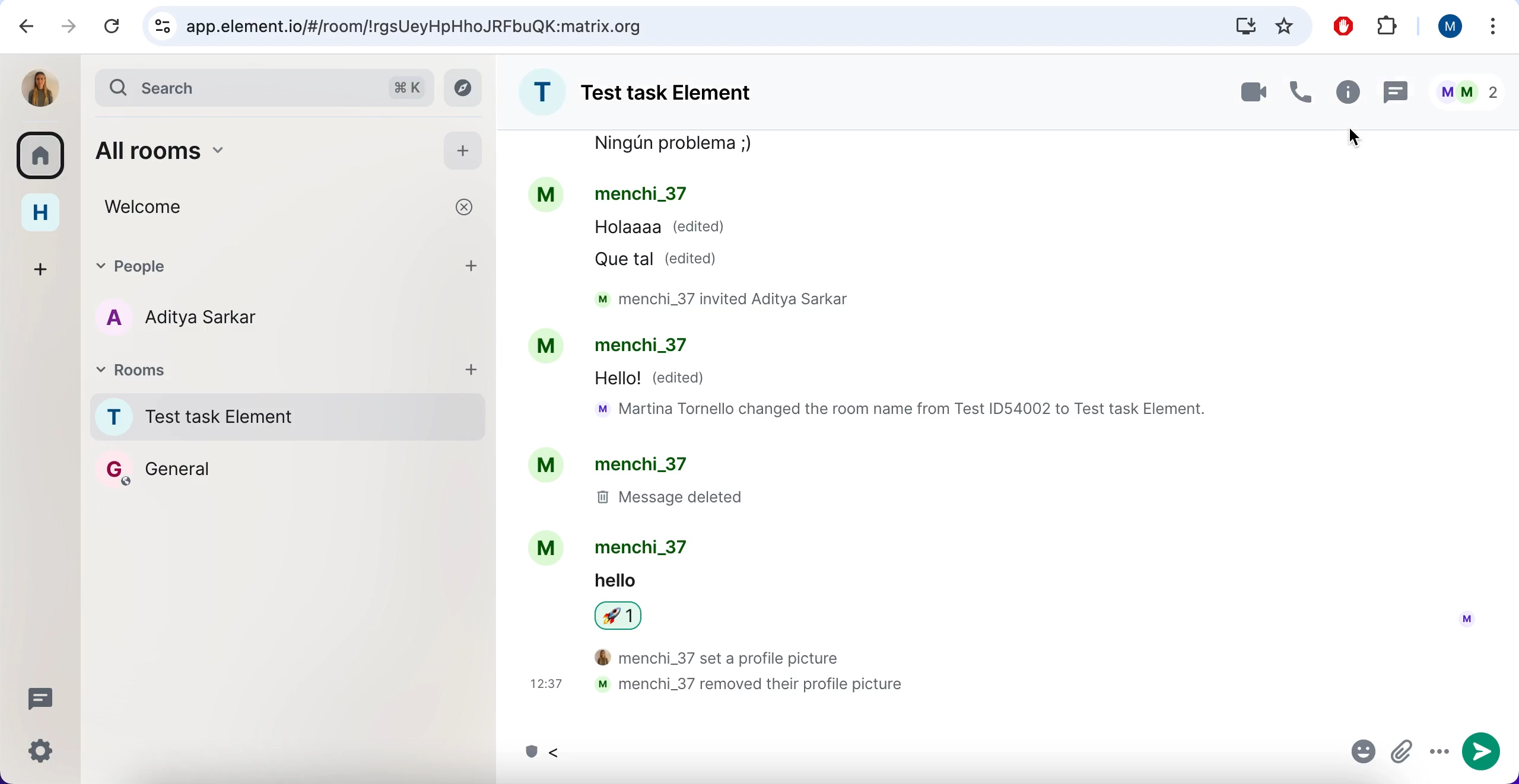  Describe the element at coordinates (1299, 91) in the screenshot. I see `voice call` at that location.